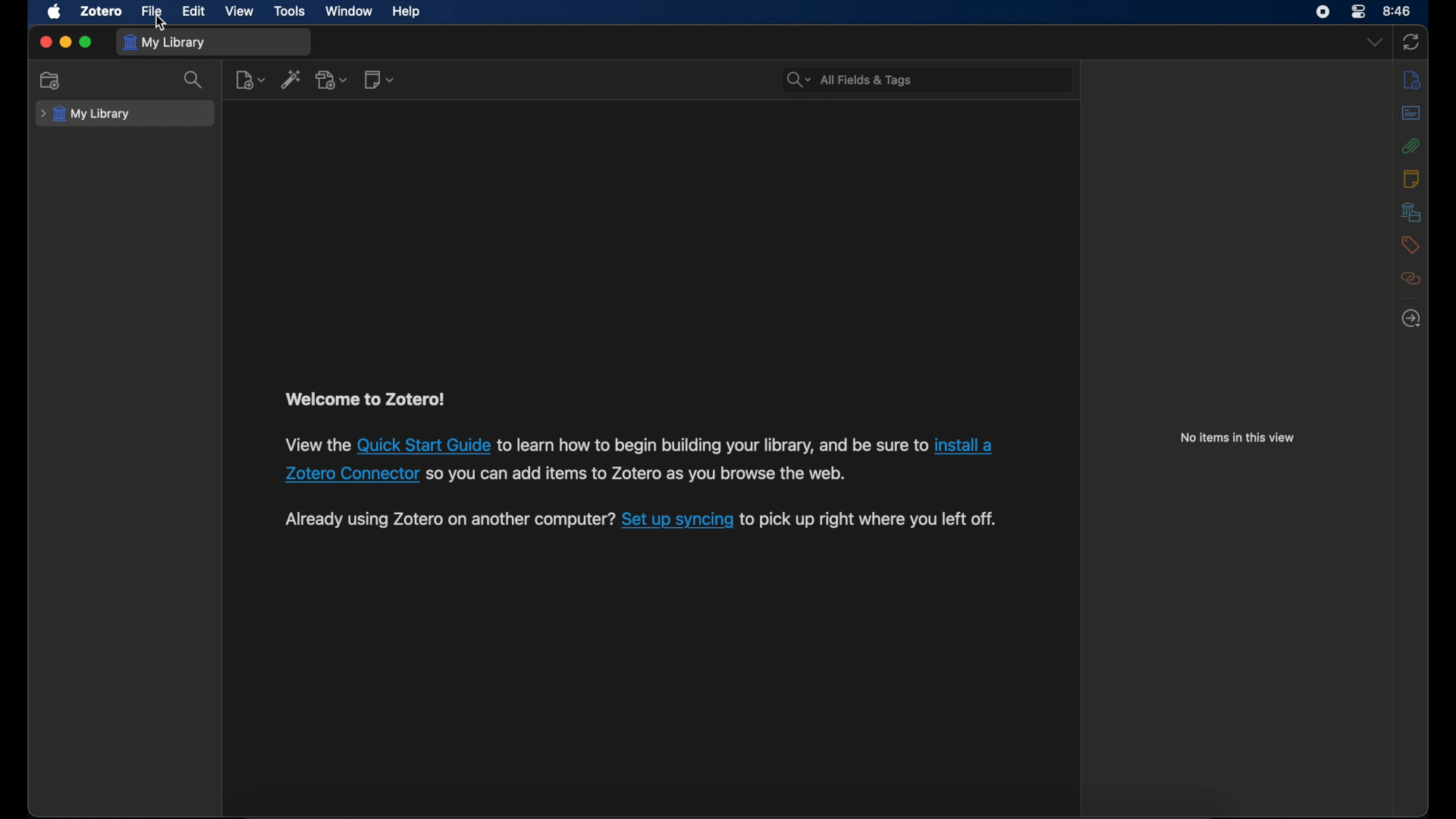 This screenshot has width=1456, height=819. I want to click on edit, so click(193, 11).